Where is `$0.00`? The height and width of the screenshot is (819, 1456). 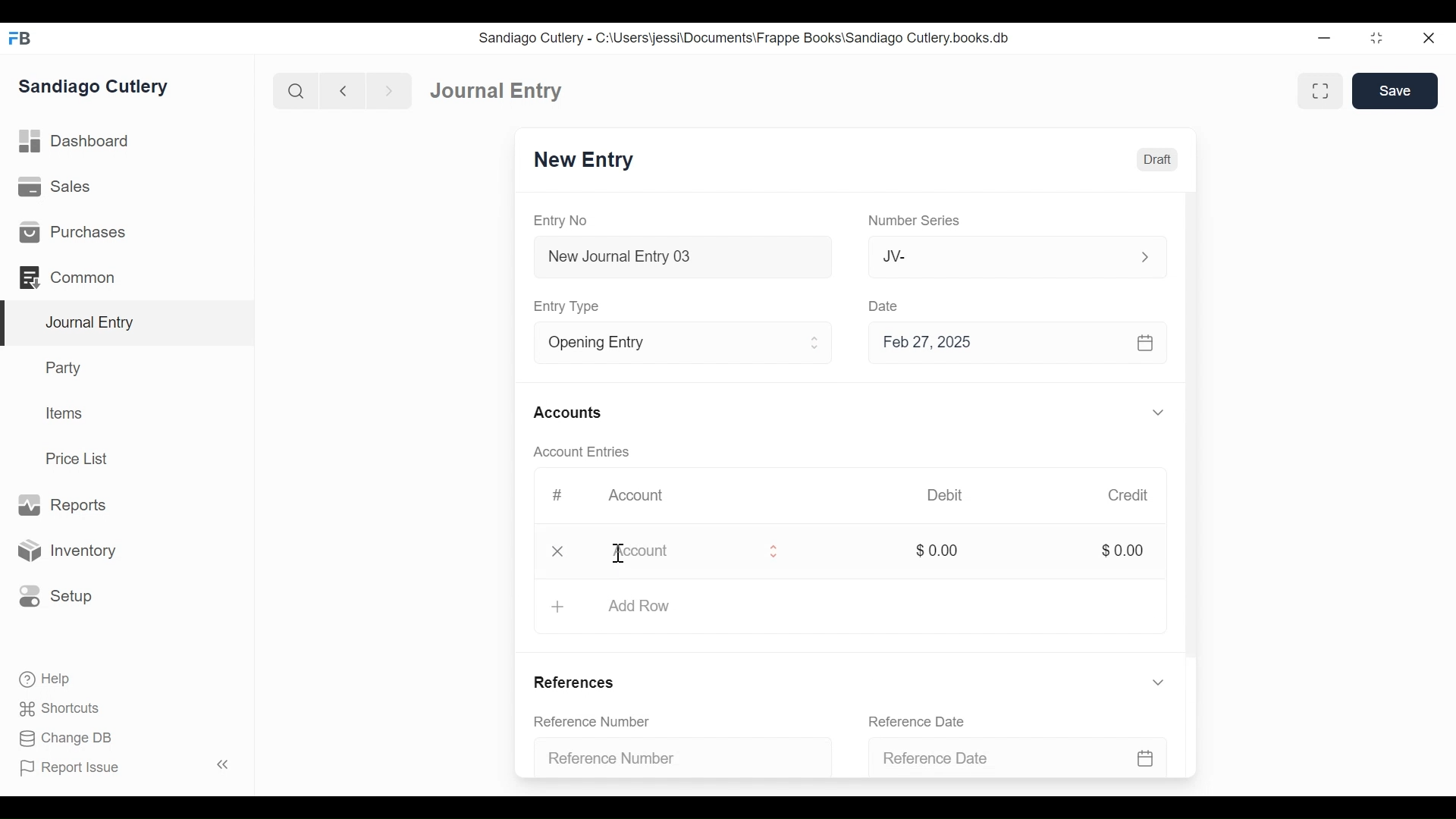
$0.00 is located at coordinates (1122, 550).